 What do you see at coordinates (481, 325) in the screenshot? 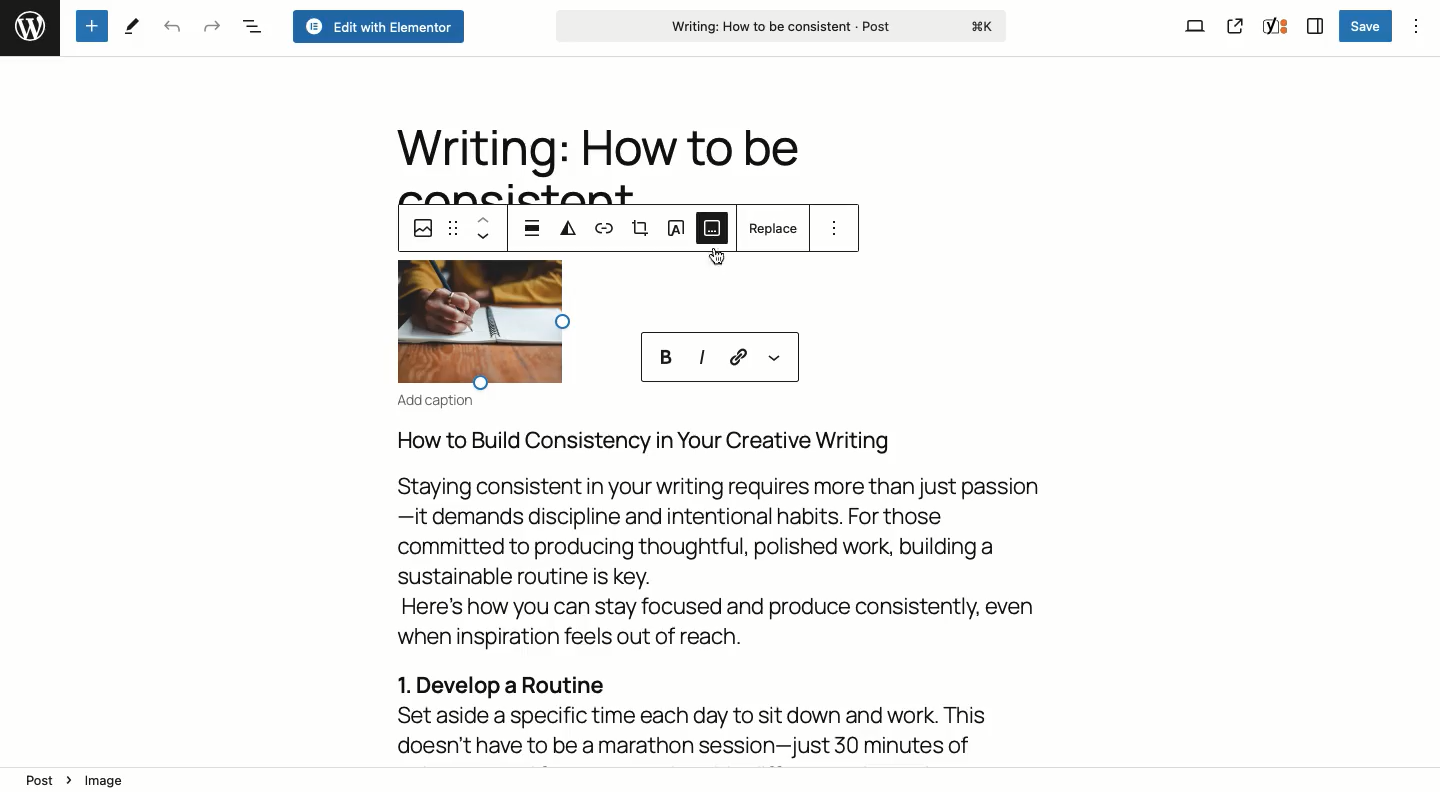
I see `selected image` at bounding box center [481, 325].